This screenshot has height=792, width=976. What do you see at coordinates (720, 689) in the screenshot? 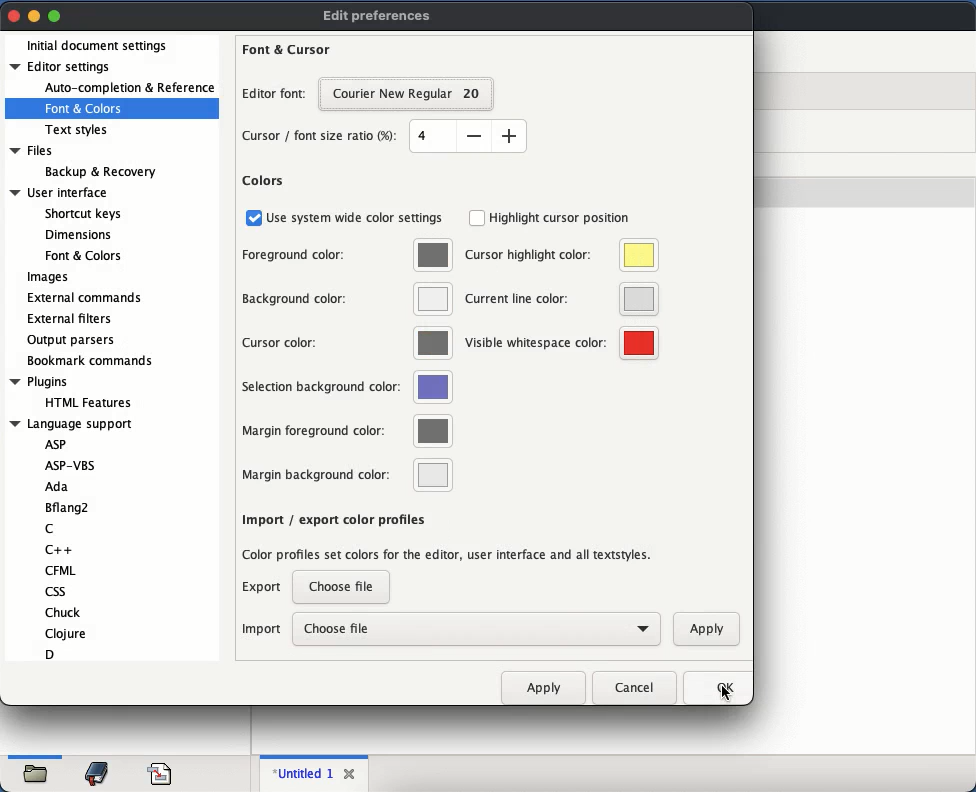
I see `ok` at bounding box center [720, 689].